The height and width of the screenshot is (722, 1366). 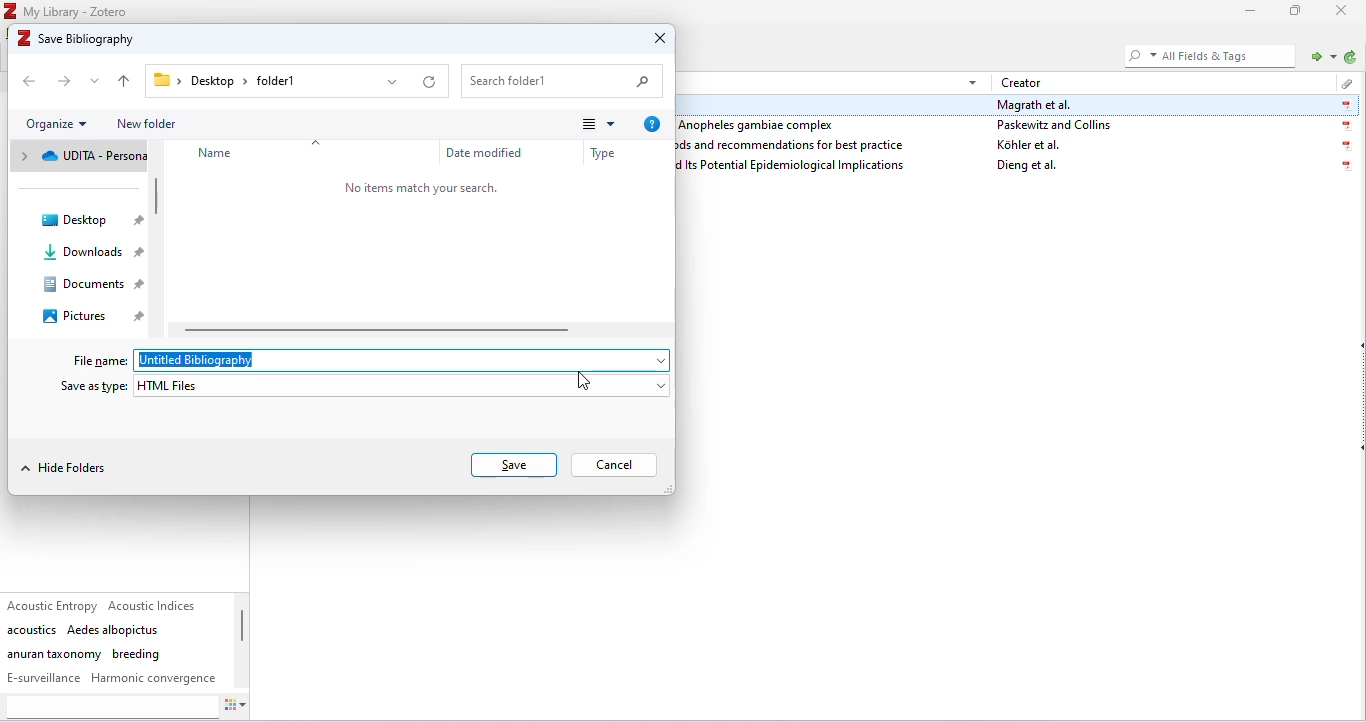 What do you see at coordinates (1036, 104) in the screenshot?
I see `magrath et al.` at bounding box center [1036, 104].